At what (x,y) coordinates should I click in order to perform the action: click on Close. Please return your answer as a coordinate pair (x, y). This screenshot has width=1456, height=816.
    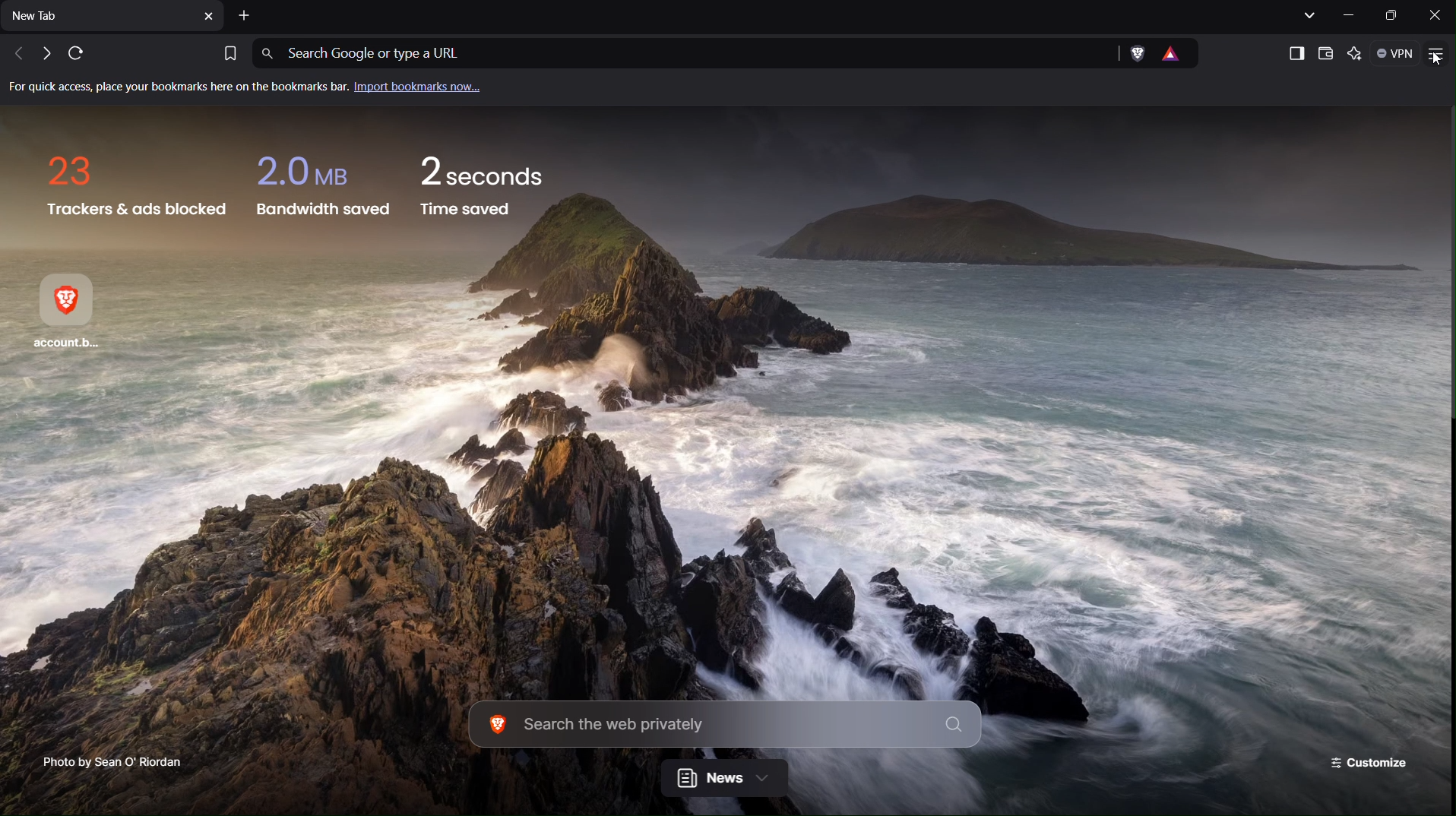
    Looking at the image, I should click on (1435, 15).